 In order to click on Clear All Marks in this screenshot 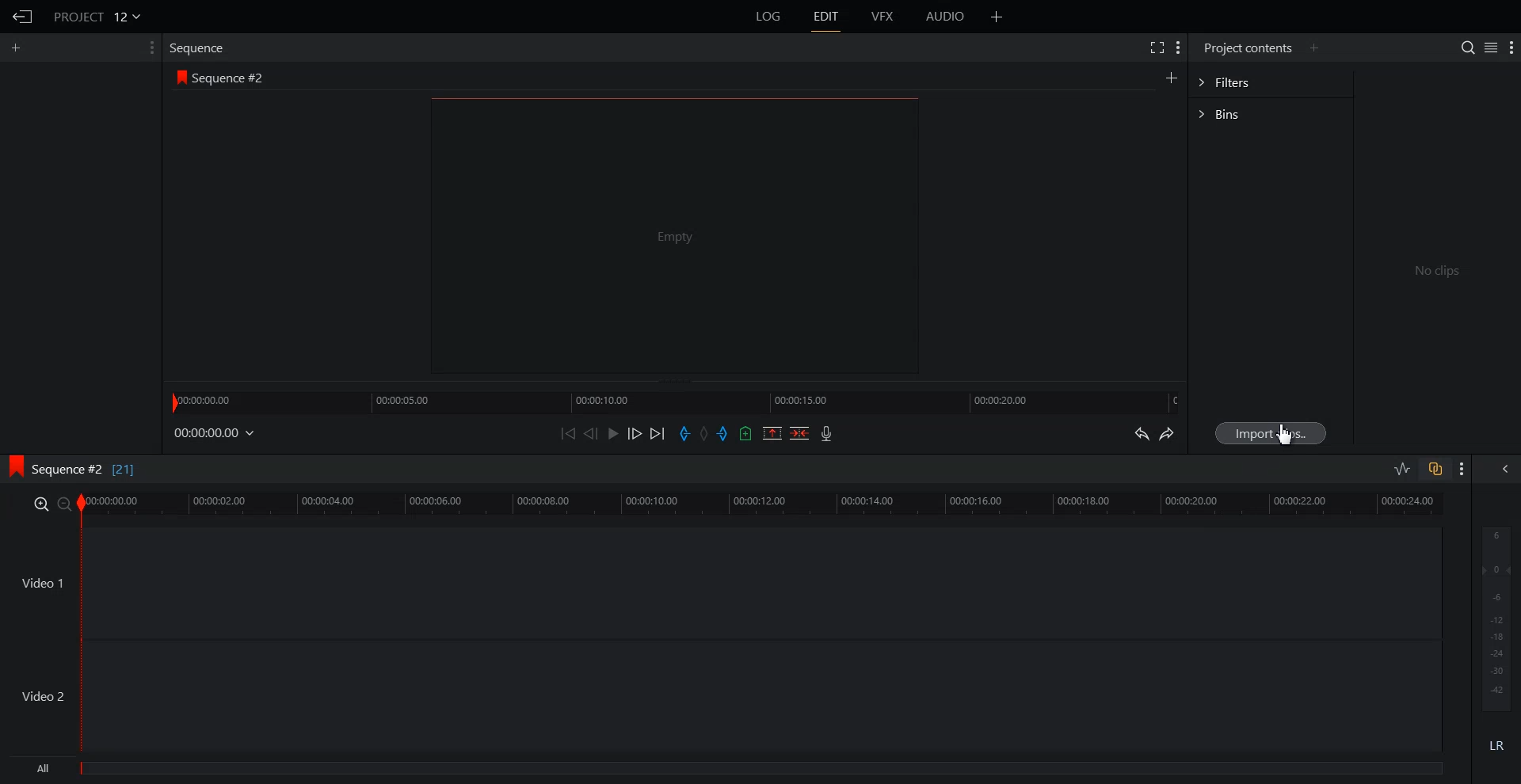, I will do `click(703, 433)`.